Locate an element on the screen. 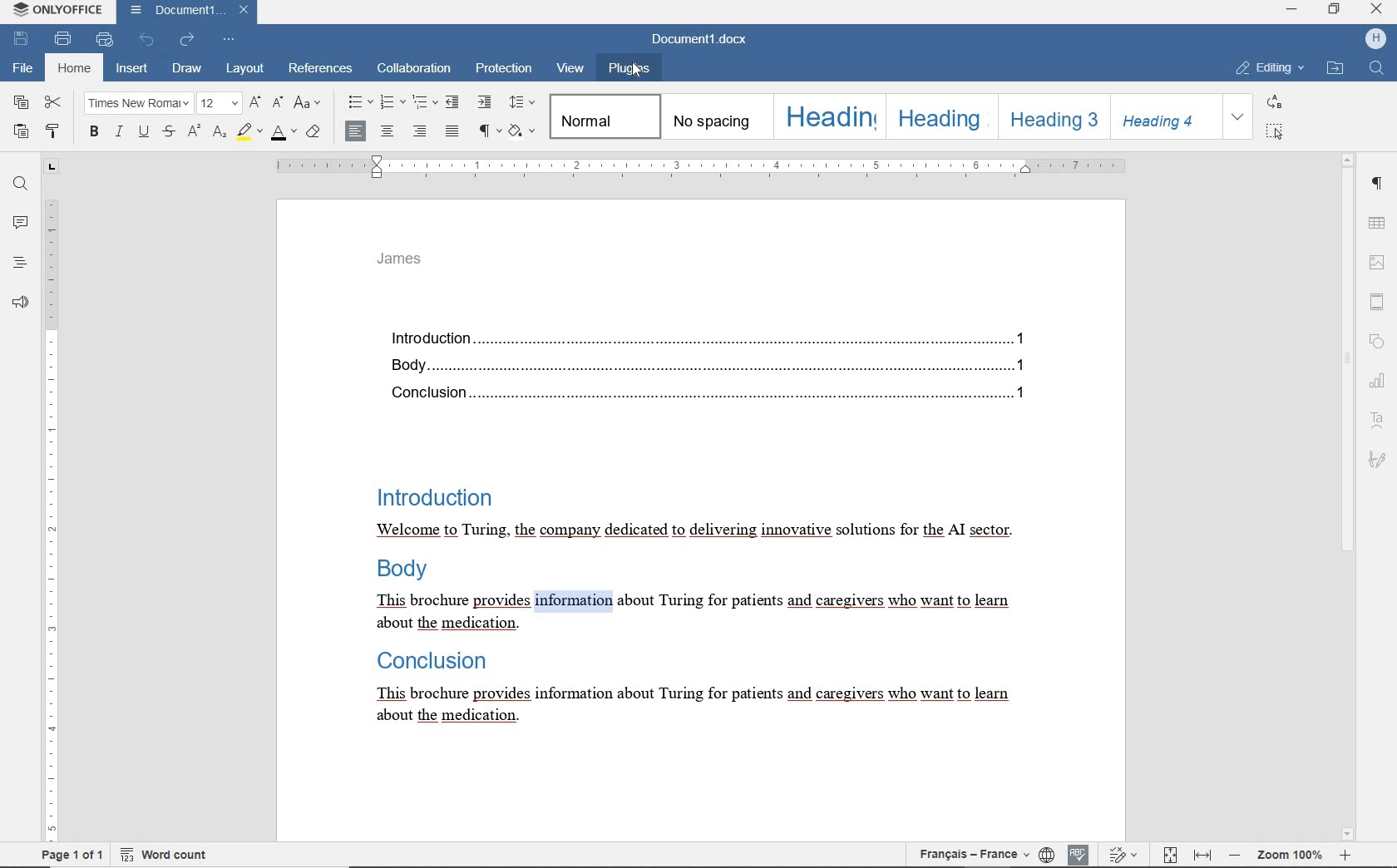 This screenshot has height=868, width=1397. Introduction is located at coordinates (432, 495).